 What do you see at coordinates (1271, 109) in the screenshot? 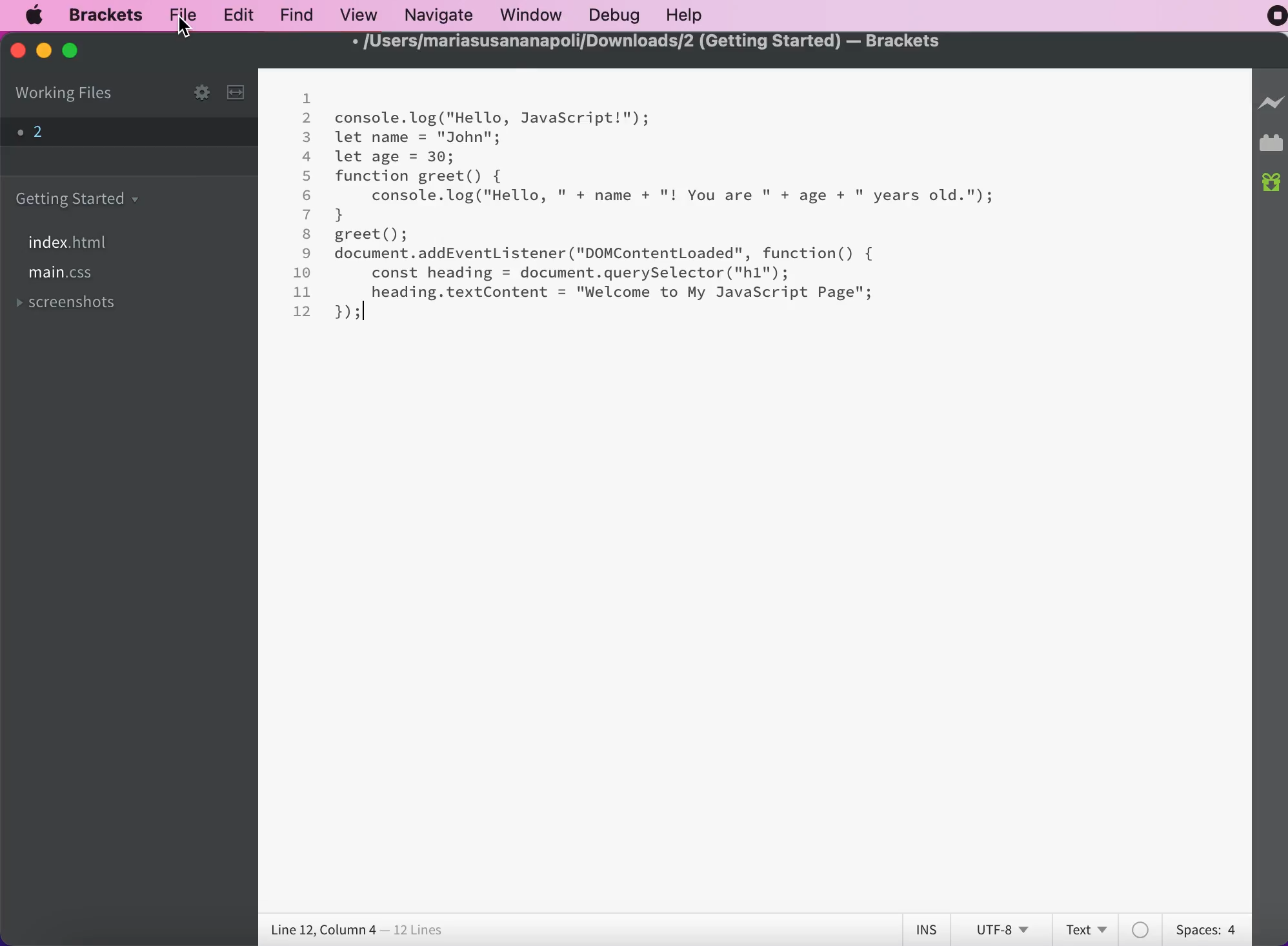
I see `live preview` at bounding box center [1271, 109].